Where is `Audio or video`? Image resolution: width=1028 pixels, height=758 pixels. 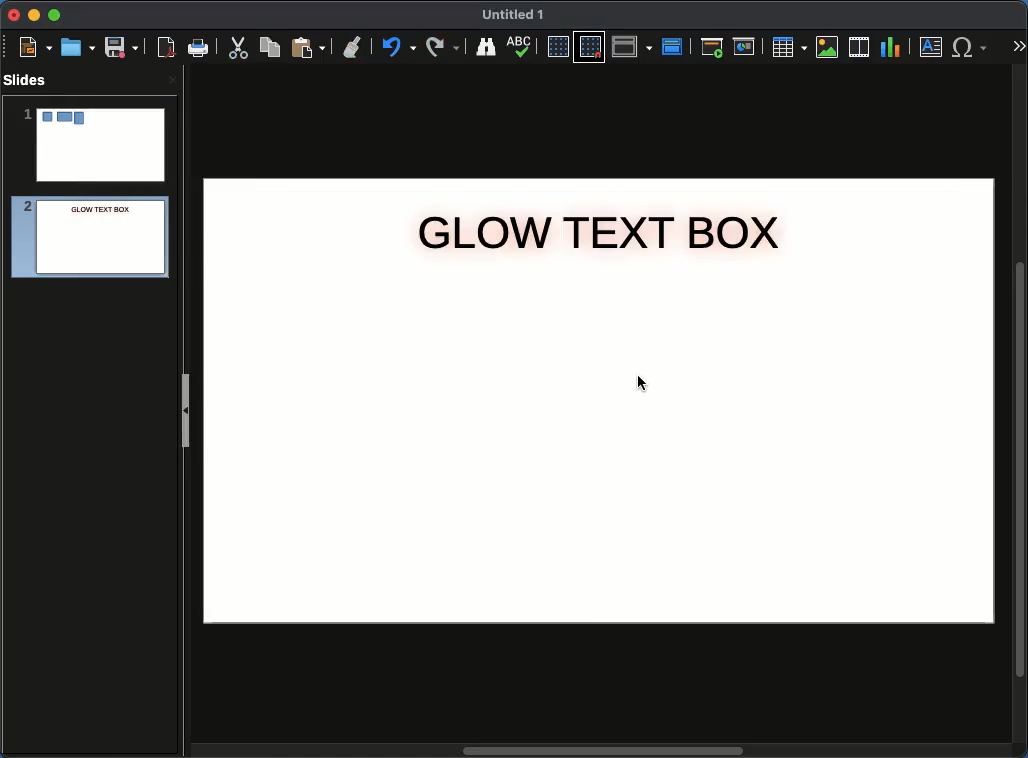
Audio or video is located at coordinates (860, 47).